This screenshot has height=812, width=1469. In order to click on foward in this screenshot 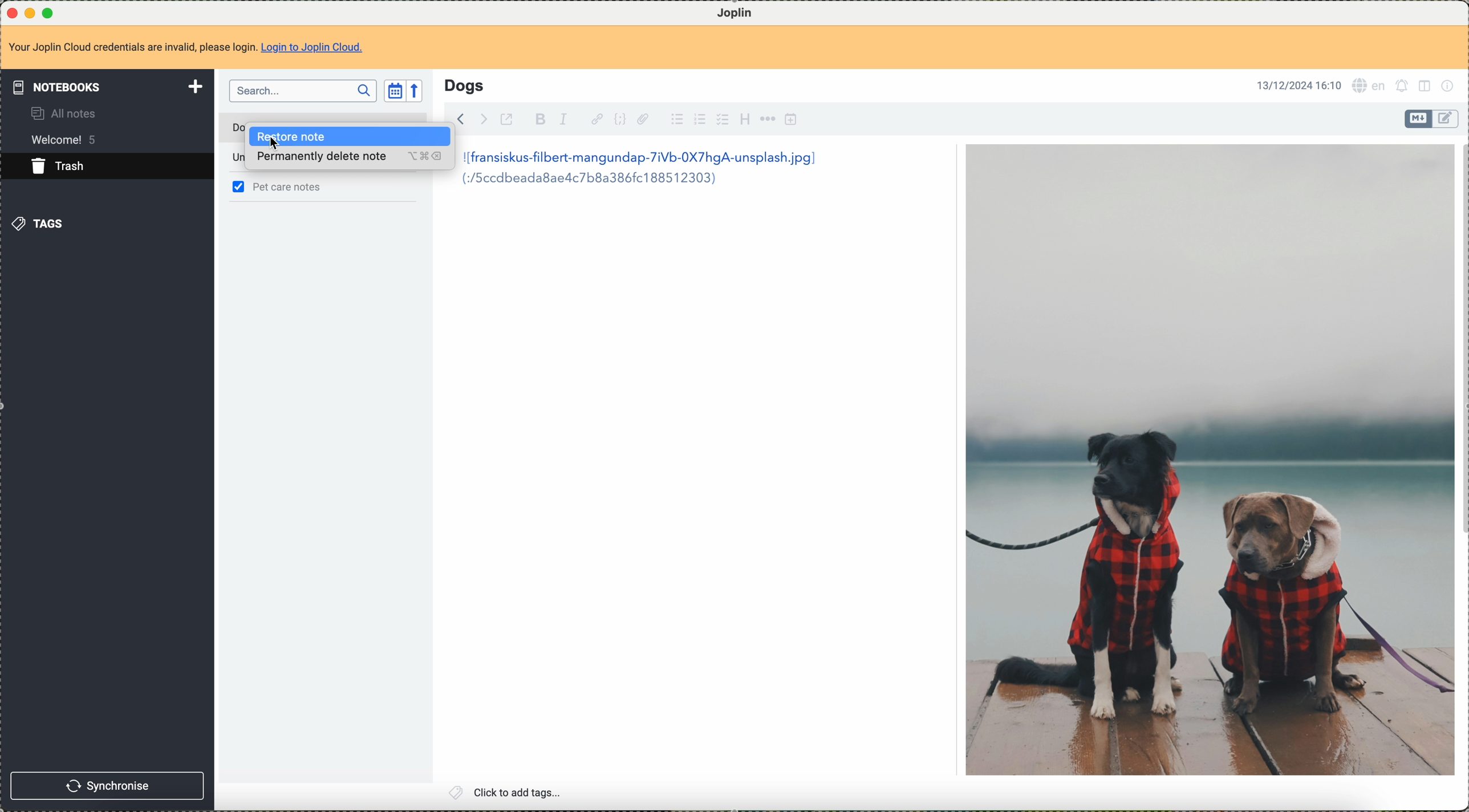, I will do `click(486, 118)`.